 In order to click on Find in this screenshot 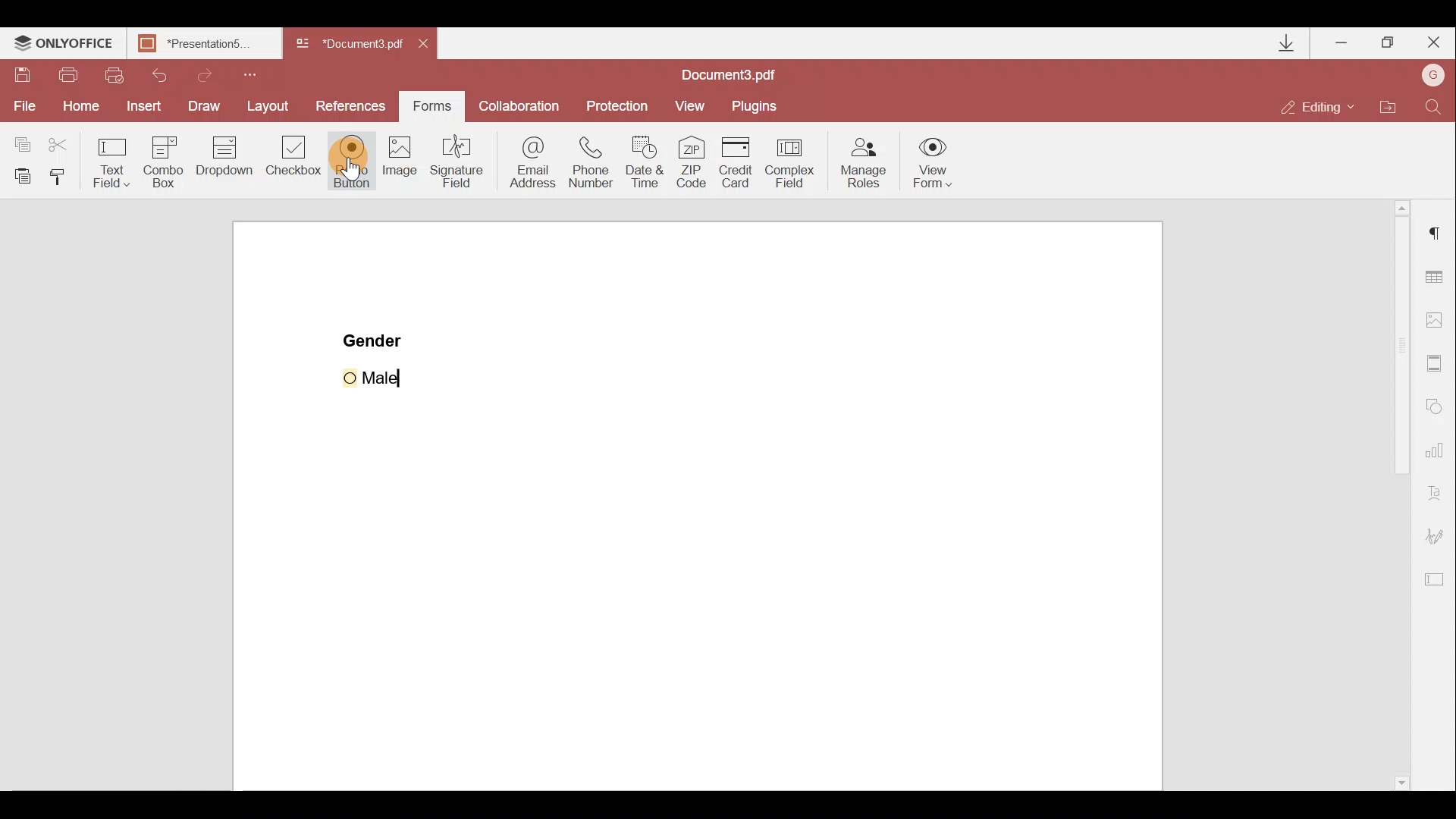, I will do `click(1434, 104)`.